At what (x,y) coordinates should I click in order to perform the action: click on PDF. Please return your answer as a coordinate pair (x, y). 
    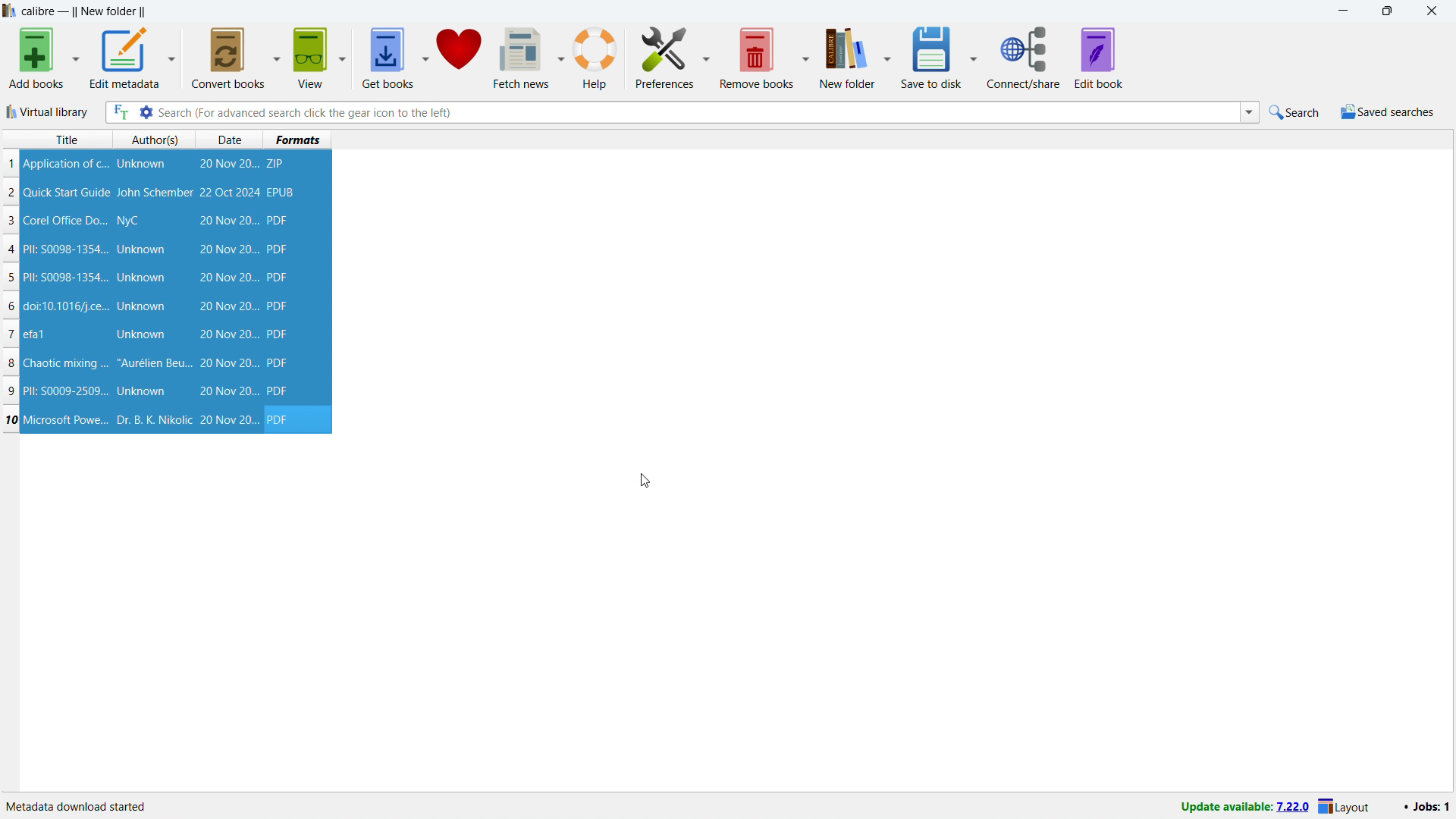
    Looking at the image, I should click on (278, 334).